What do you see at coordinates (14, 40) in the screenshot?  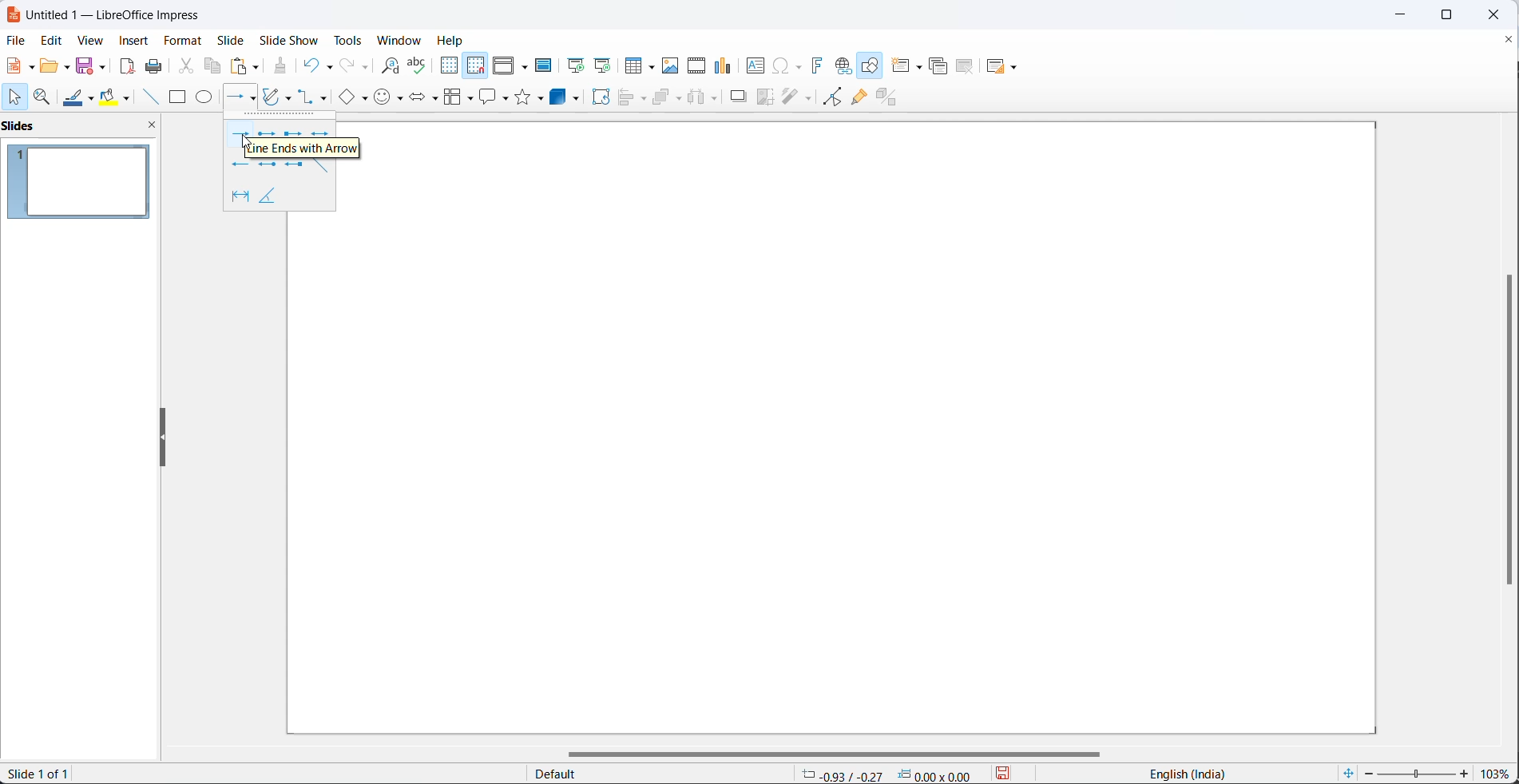 I see `file` at bounding box center [14, 40].